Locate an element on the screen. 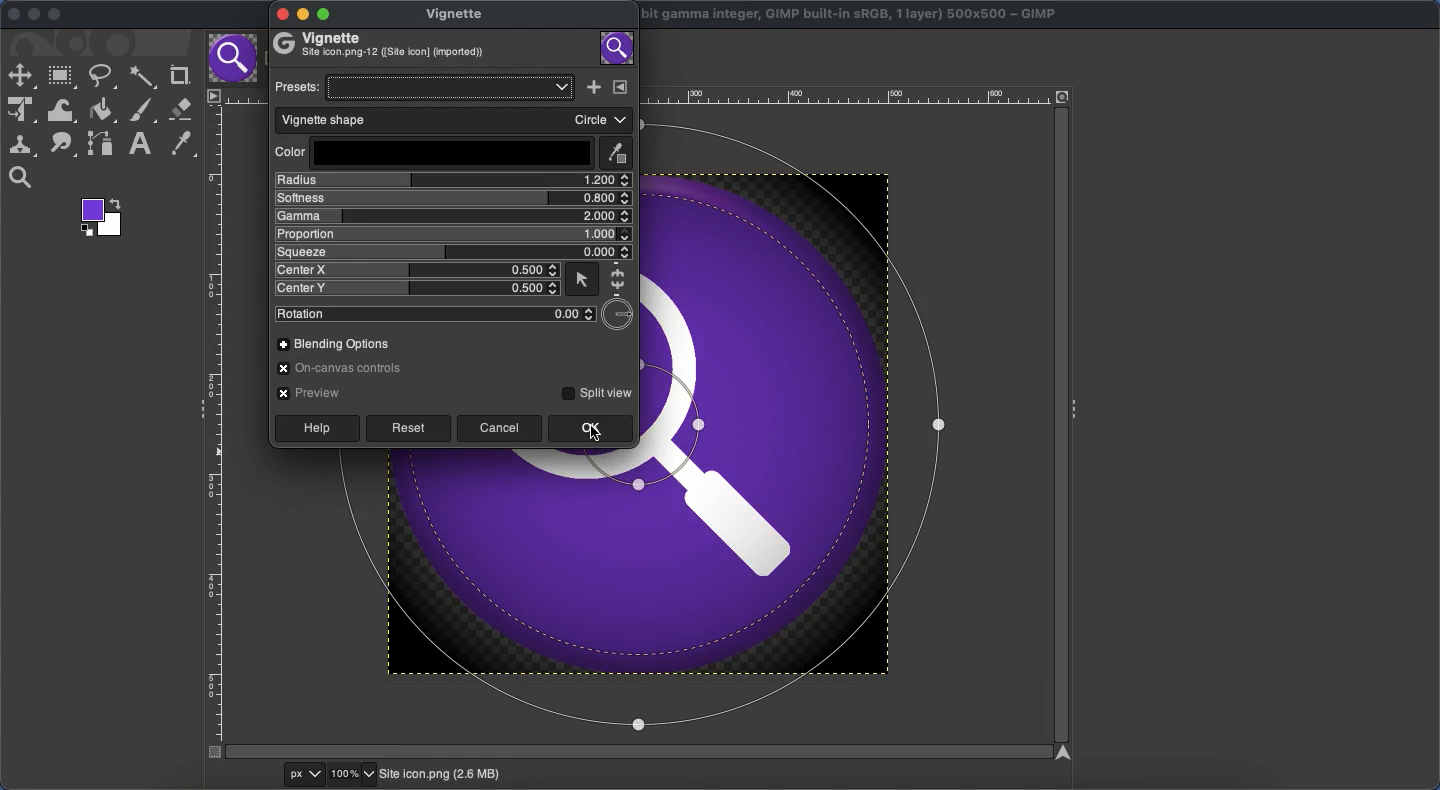  Collapse is located at coordinates (196, 407).